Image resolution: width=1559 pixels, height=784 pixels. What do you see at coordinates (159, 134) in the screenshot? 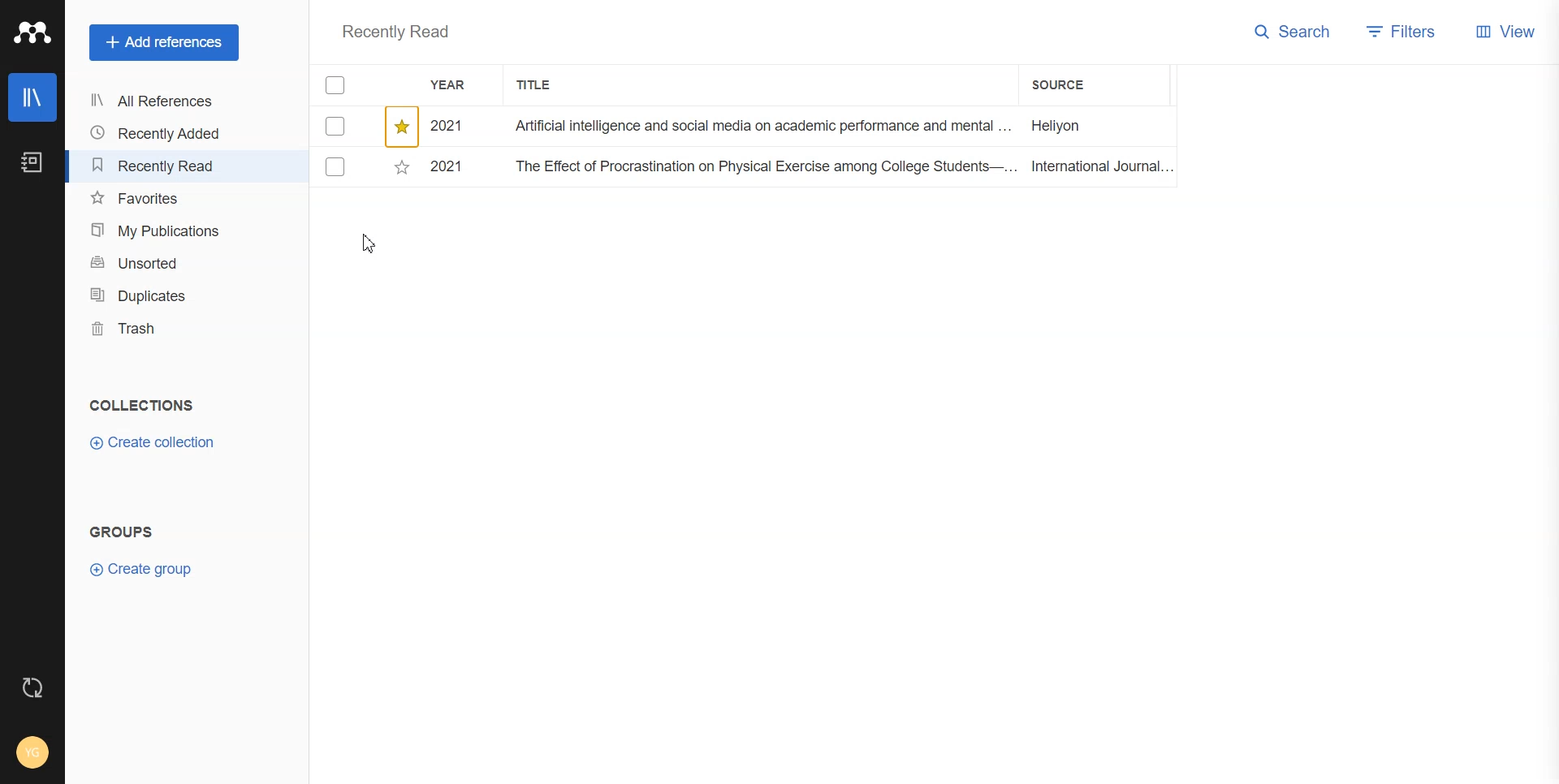
I see `Recently added` at bounding box center [159, 134].